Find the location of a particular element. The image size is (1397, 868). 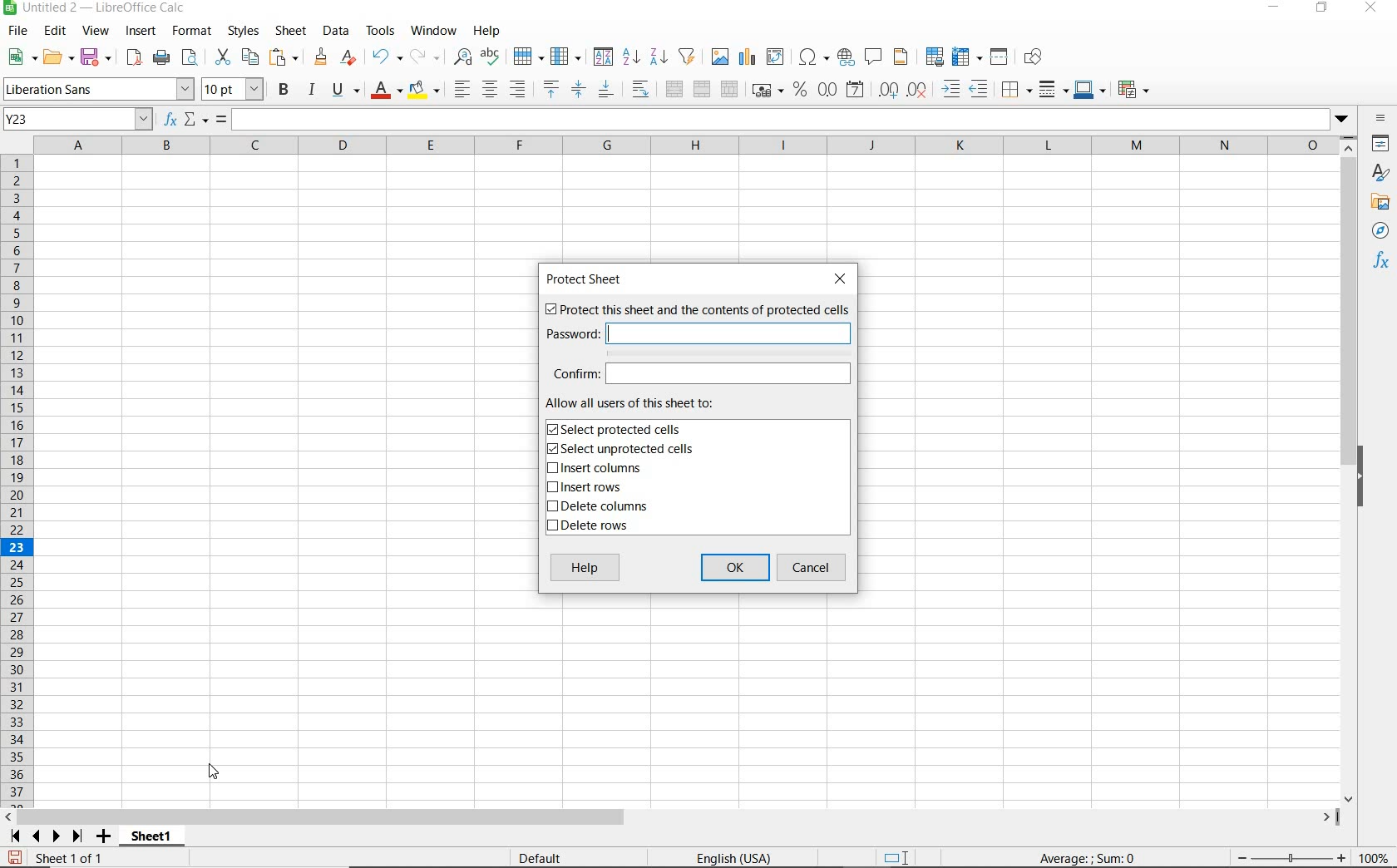

FONT SIZE is located at coordinates (234, 91).